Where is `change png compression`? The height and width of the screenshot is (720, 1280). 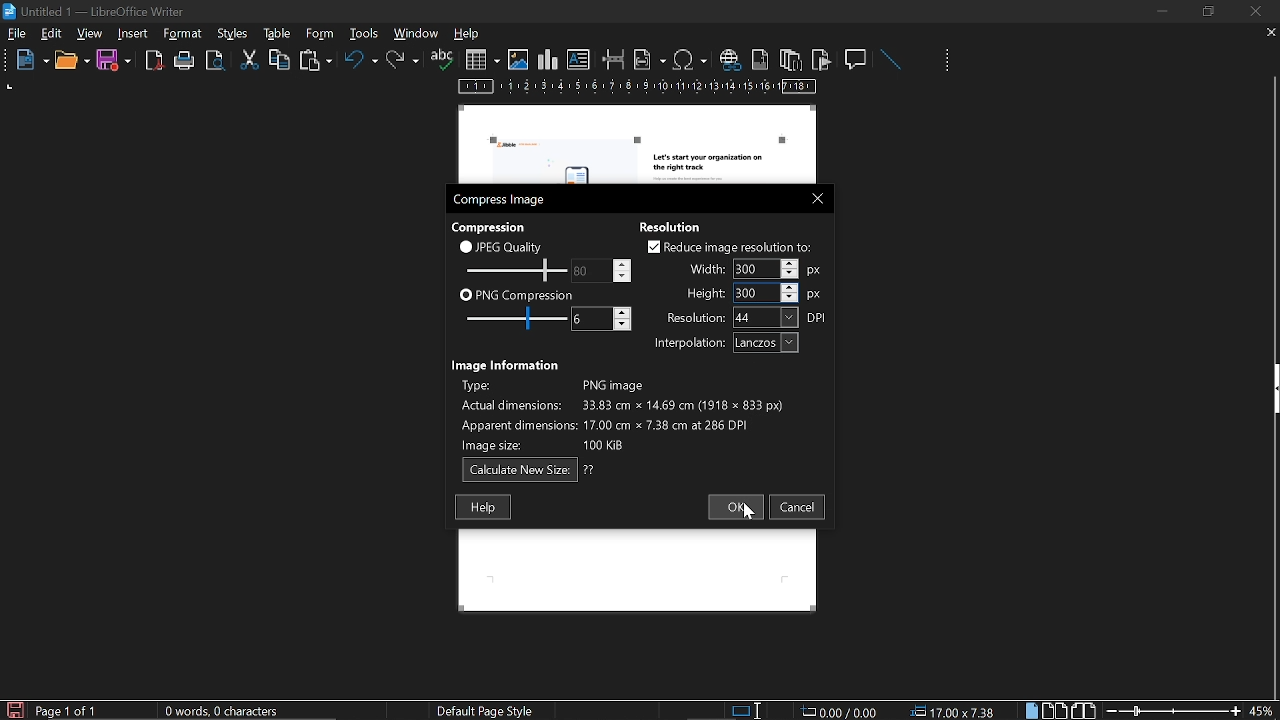 change png compression is located at coordinates (601, 319).